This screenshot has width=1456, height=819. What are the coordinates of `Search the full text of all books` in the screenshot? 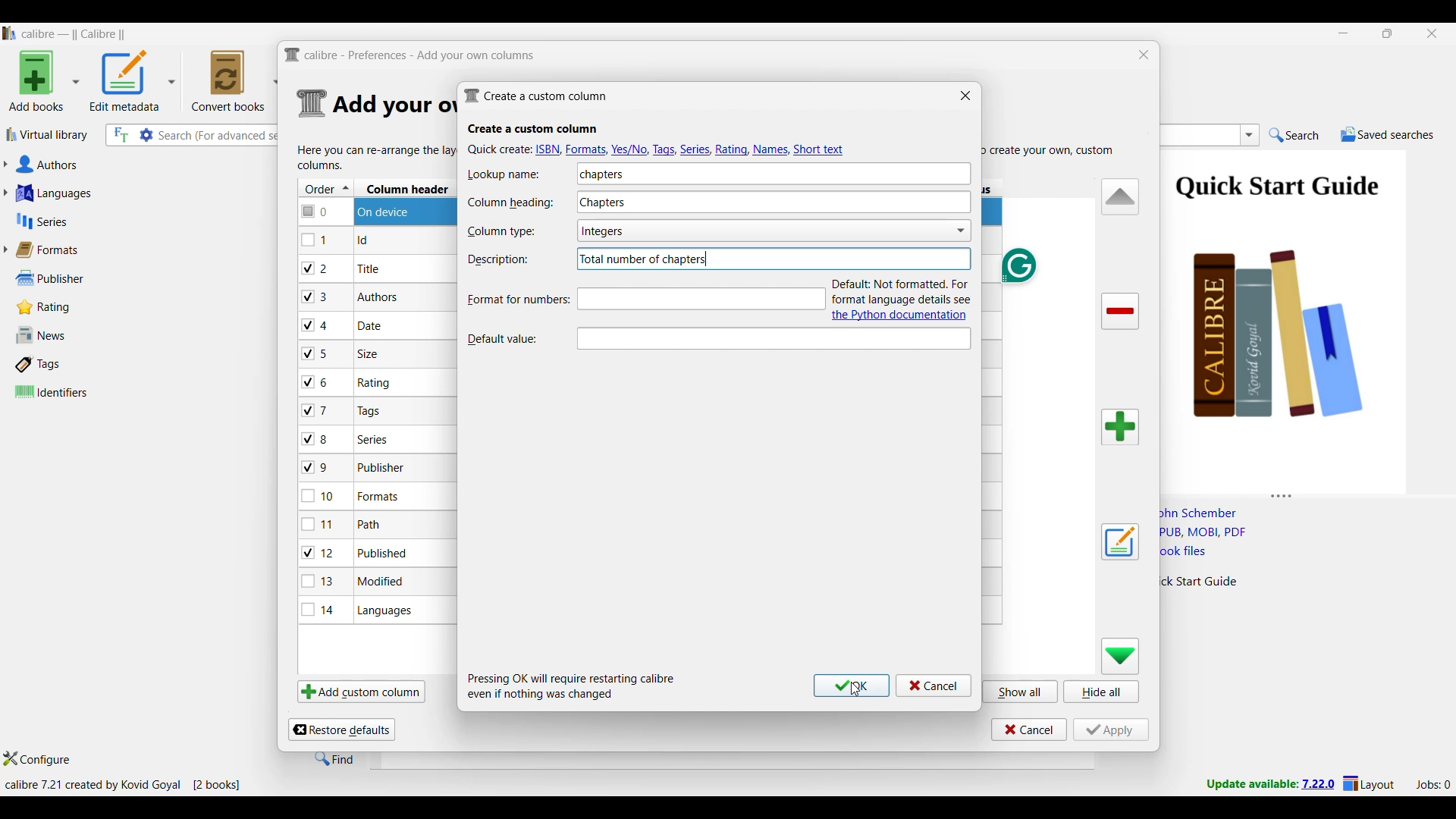 It's located at (120, 135).